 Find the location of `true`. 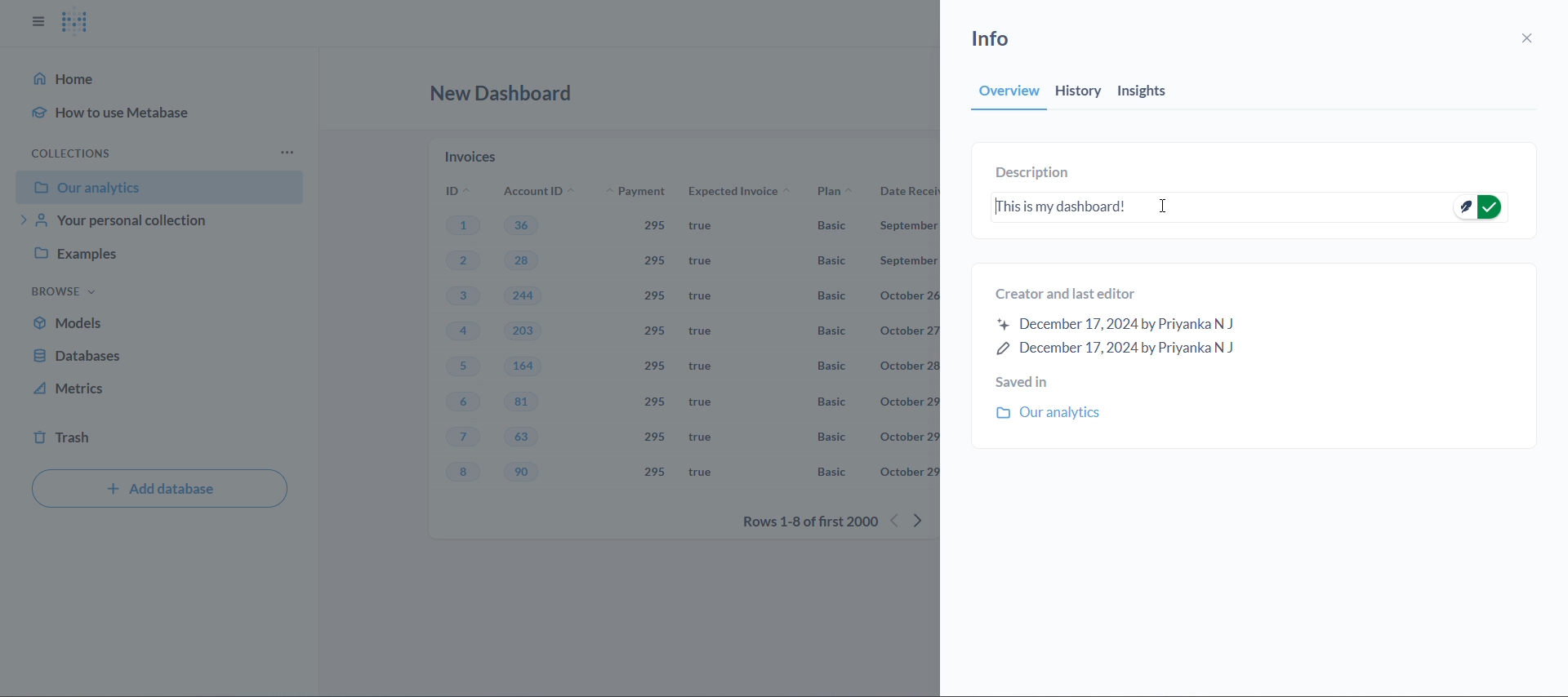

true is located at coordinates (708, 228).